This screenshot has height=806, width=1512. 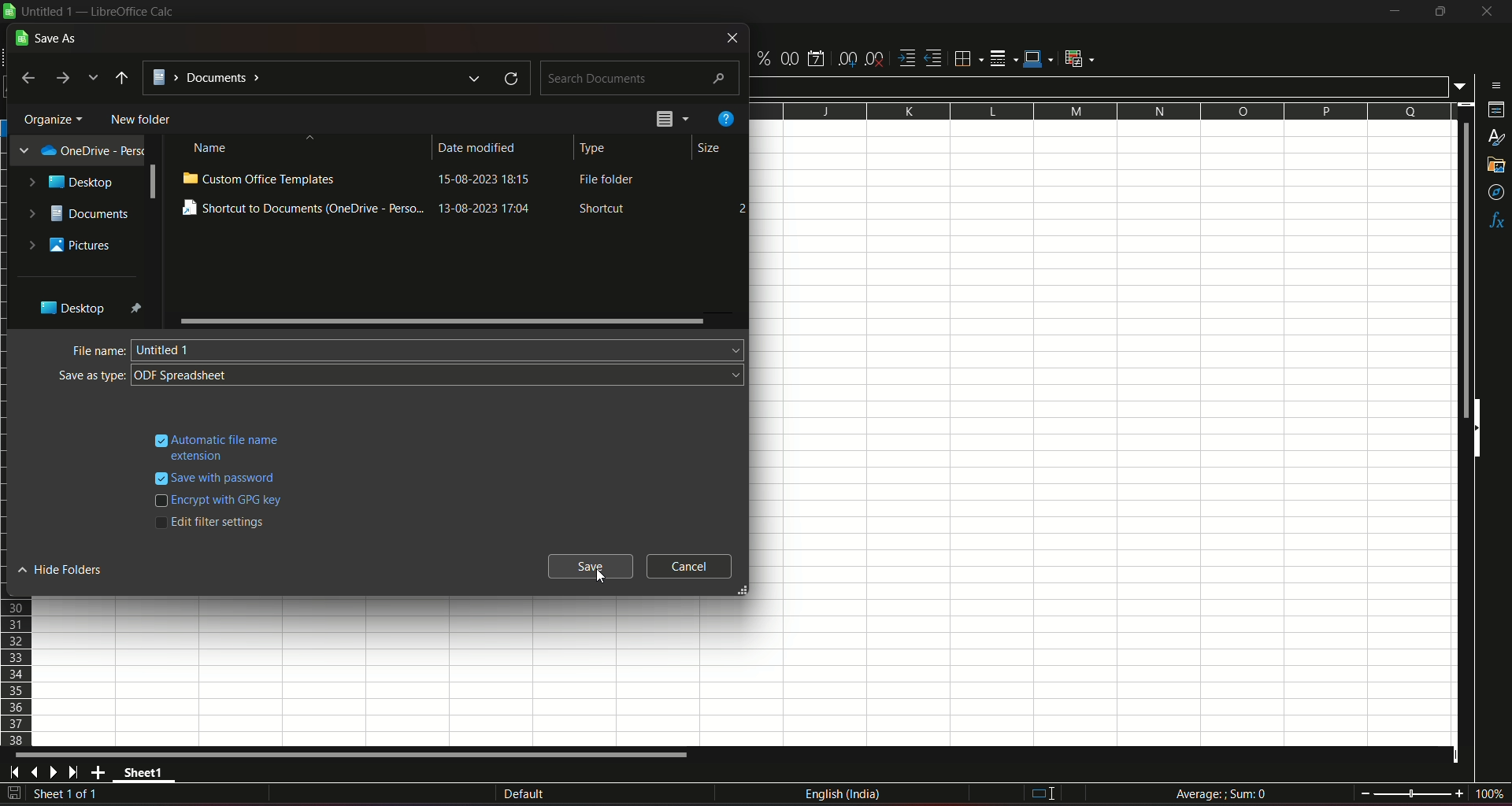 What do you see at coordinates (74, 772) in the screenshot?
I see `last sheet` at bounding box center [74, 772].